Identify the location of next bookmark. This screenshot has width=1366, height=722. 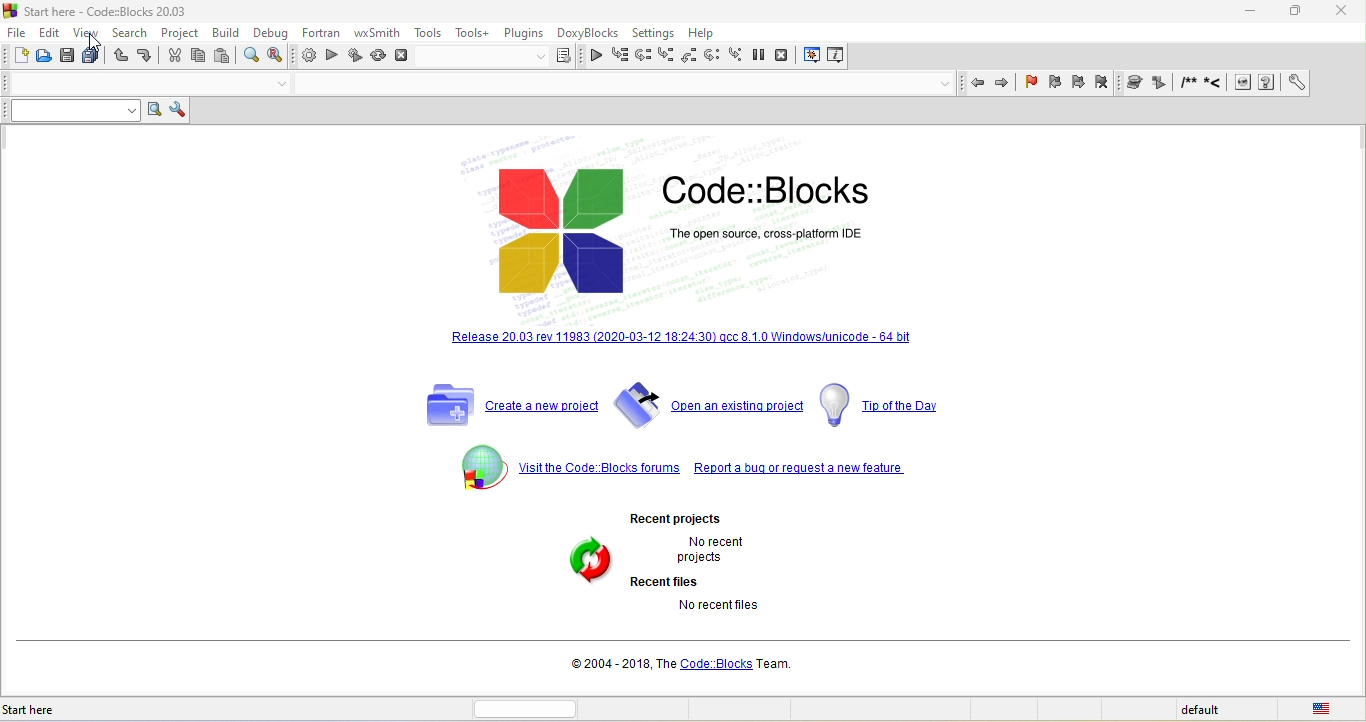
(1077, 84).